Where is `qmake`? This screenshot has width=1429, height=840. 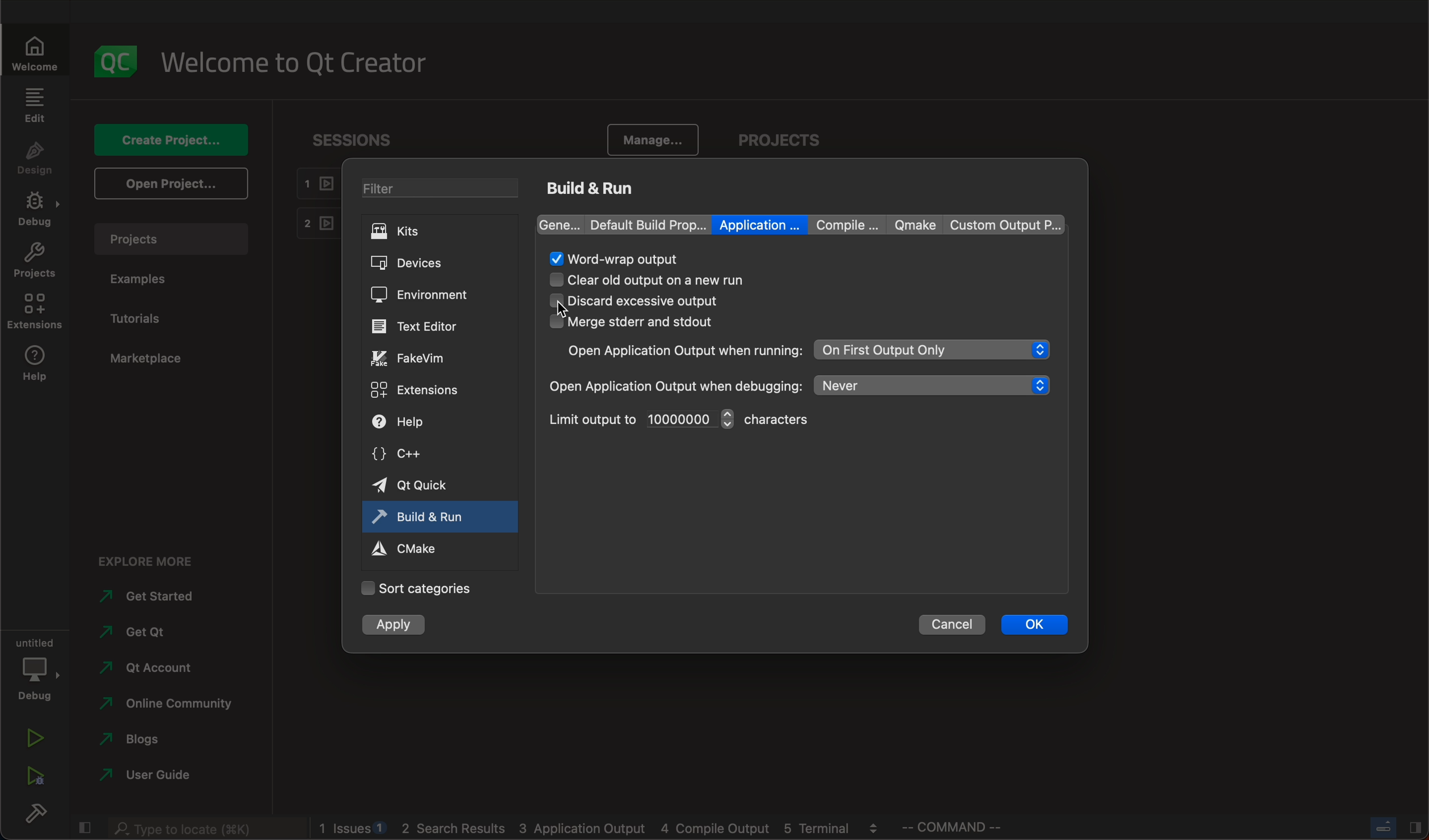 qmake is located at coordinates (911, 224).